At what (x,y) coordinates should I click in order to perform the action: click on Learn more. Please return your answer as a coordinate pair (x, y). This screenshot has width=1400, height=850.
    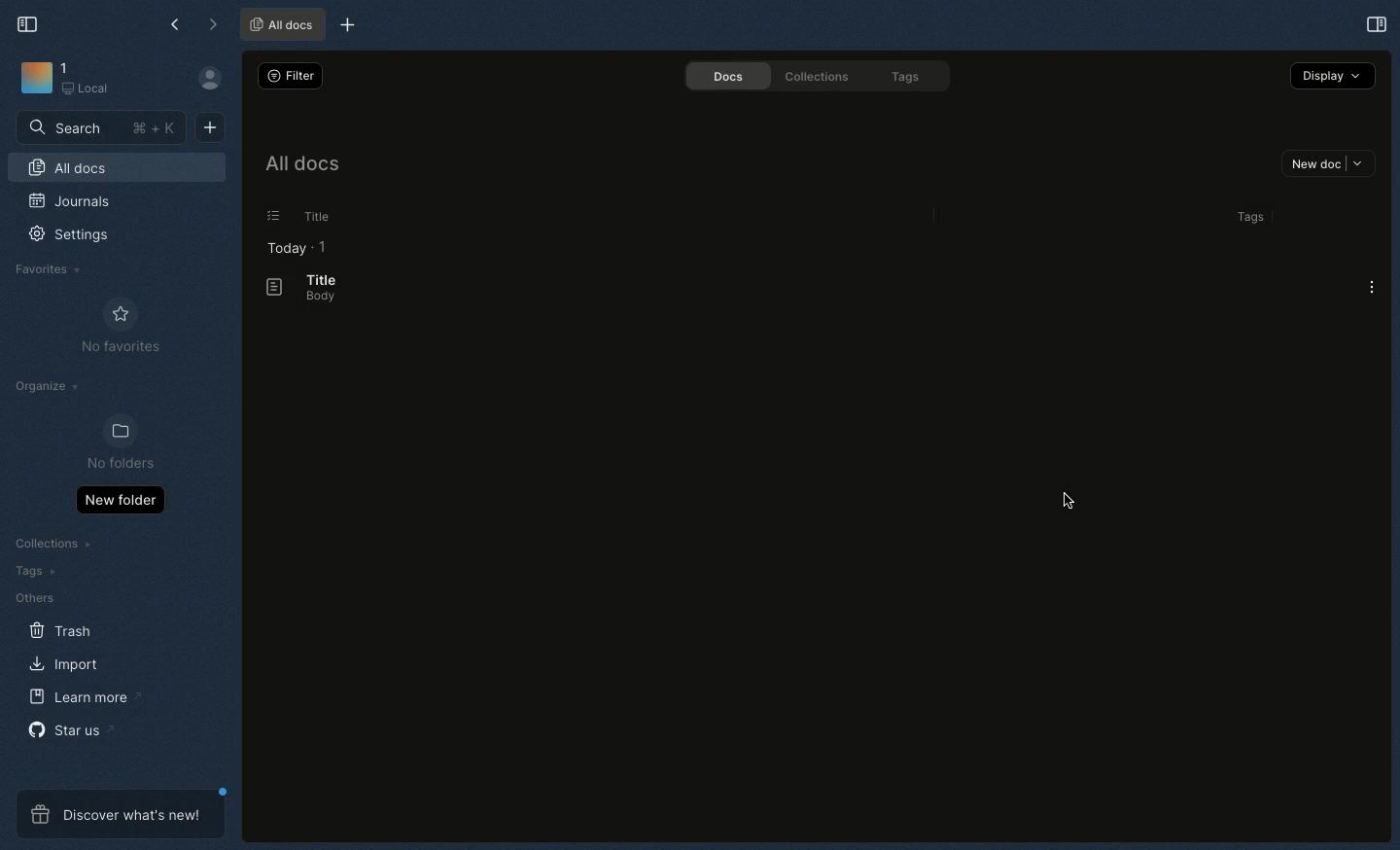
    Looking at the image, I should click on (86, 697).